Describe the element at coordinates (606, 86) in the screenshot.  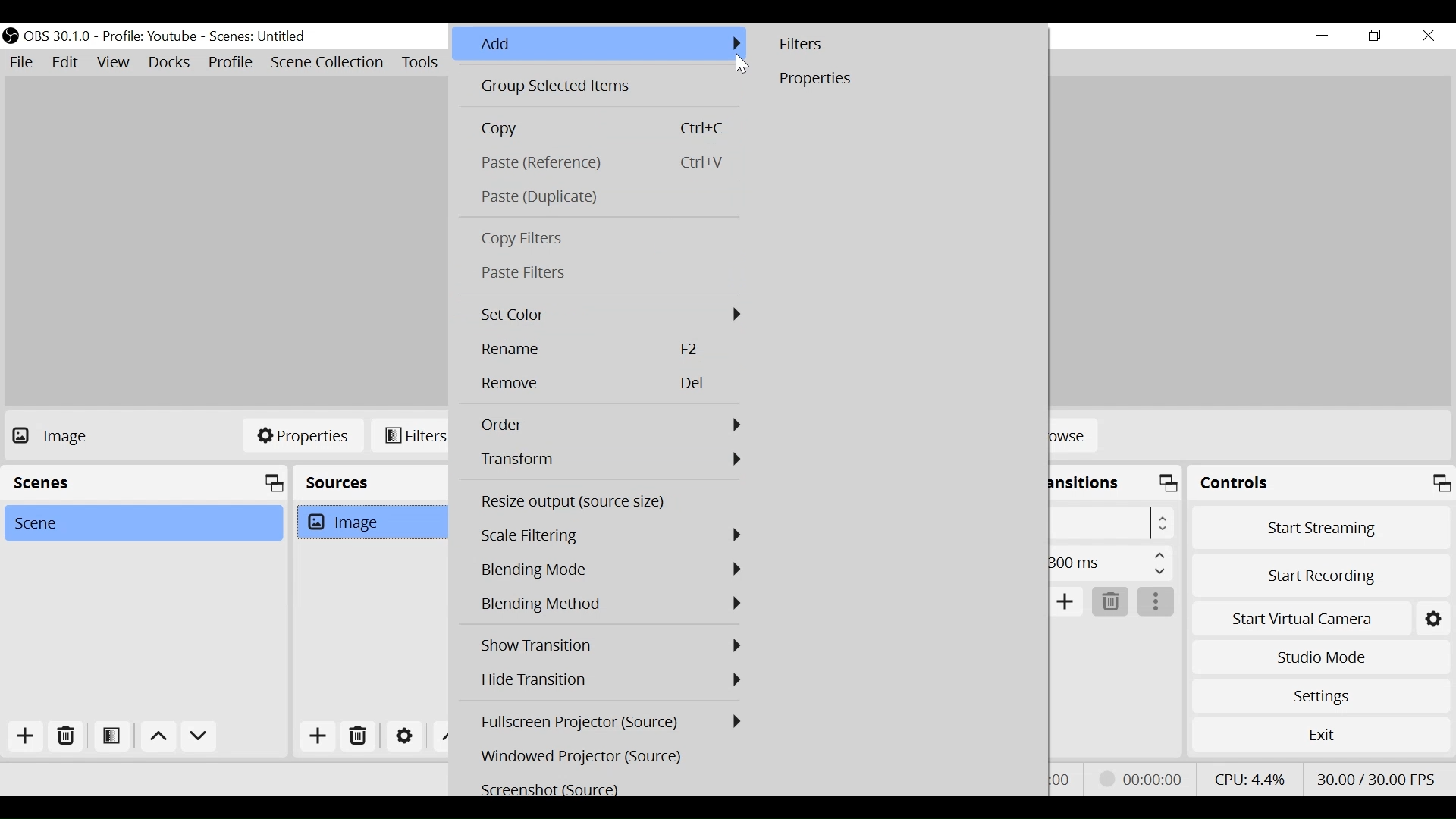
I see `Group Selected Items` at that location.